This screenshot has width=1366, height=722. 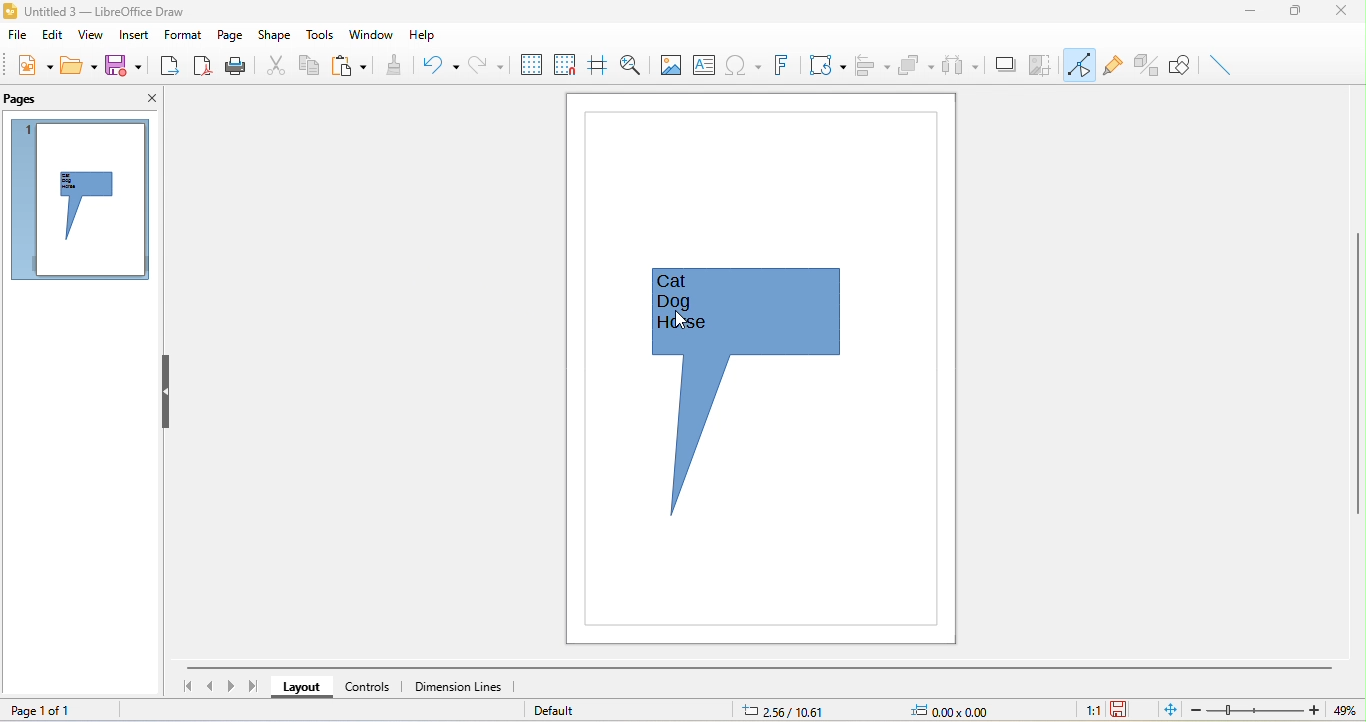 What do you see at coordinates (690, 283) in the screenshot?
I see `cat` at bounding box center [690, 283].